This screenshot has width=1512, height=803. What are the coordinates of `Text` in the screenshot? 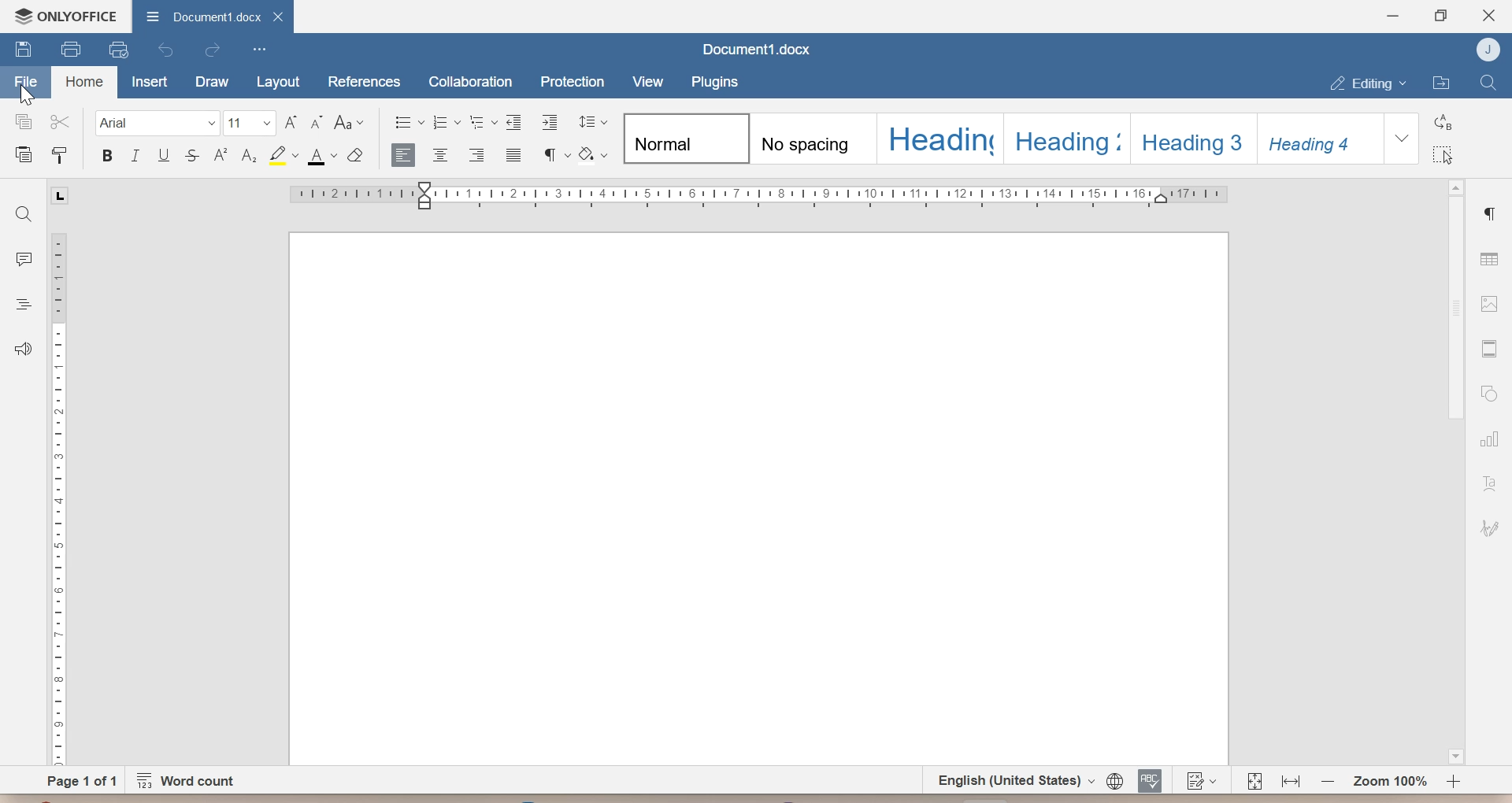 It's located at (1490, 484).